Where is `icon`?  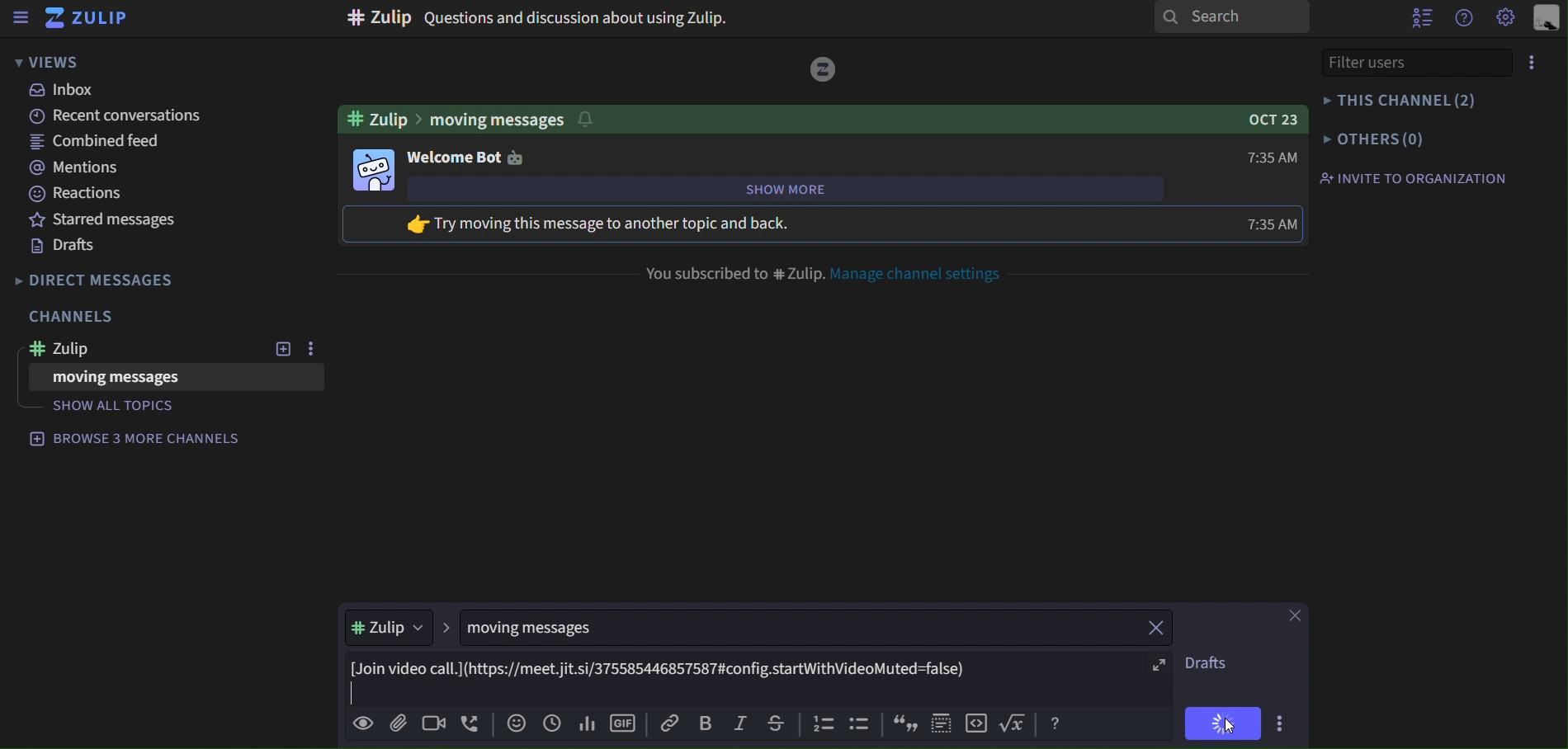 icon is located at coordinates (906, 723).